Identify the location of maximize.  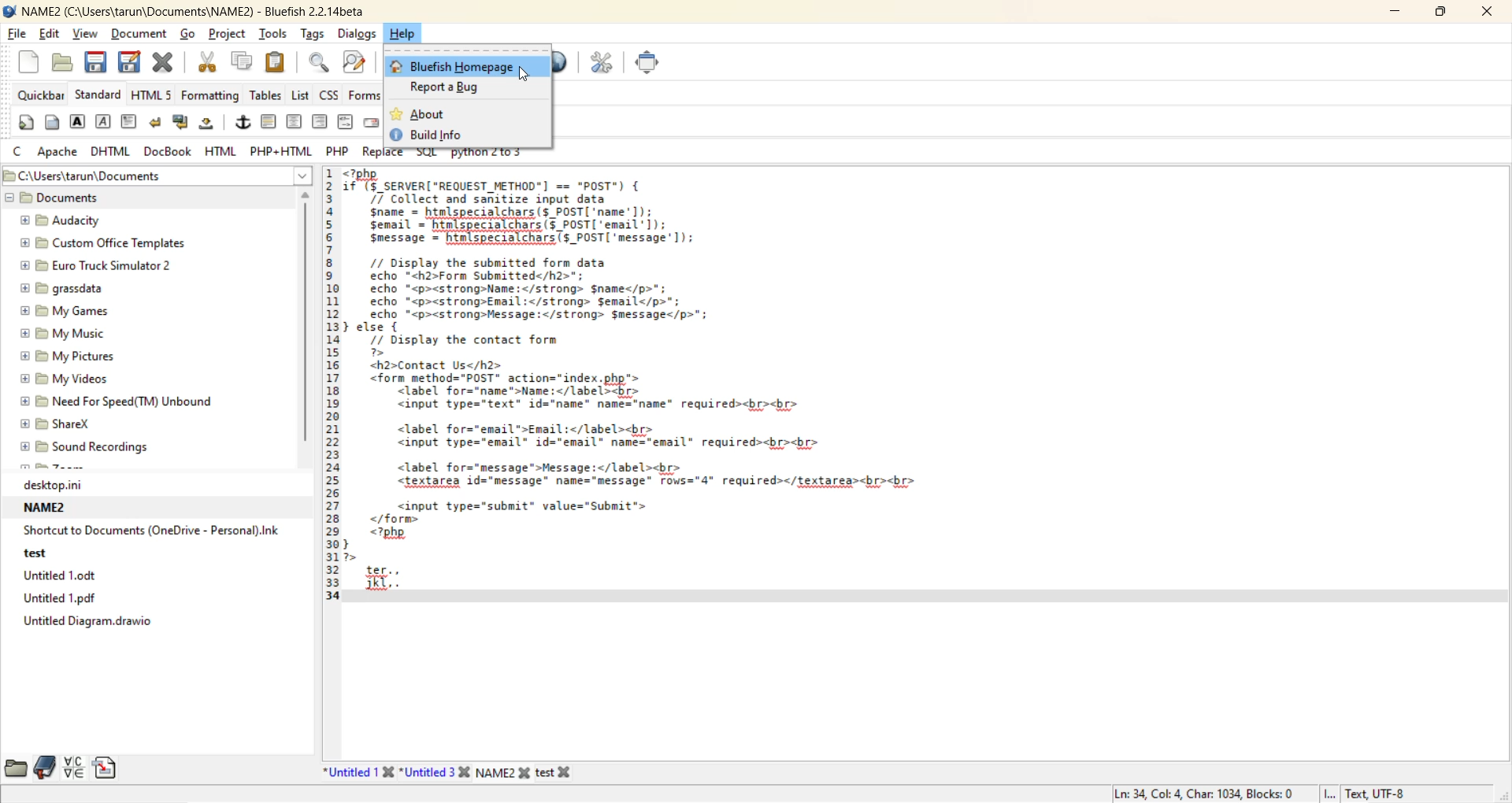
(1441, 13).